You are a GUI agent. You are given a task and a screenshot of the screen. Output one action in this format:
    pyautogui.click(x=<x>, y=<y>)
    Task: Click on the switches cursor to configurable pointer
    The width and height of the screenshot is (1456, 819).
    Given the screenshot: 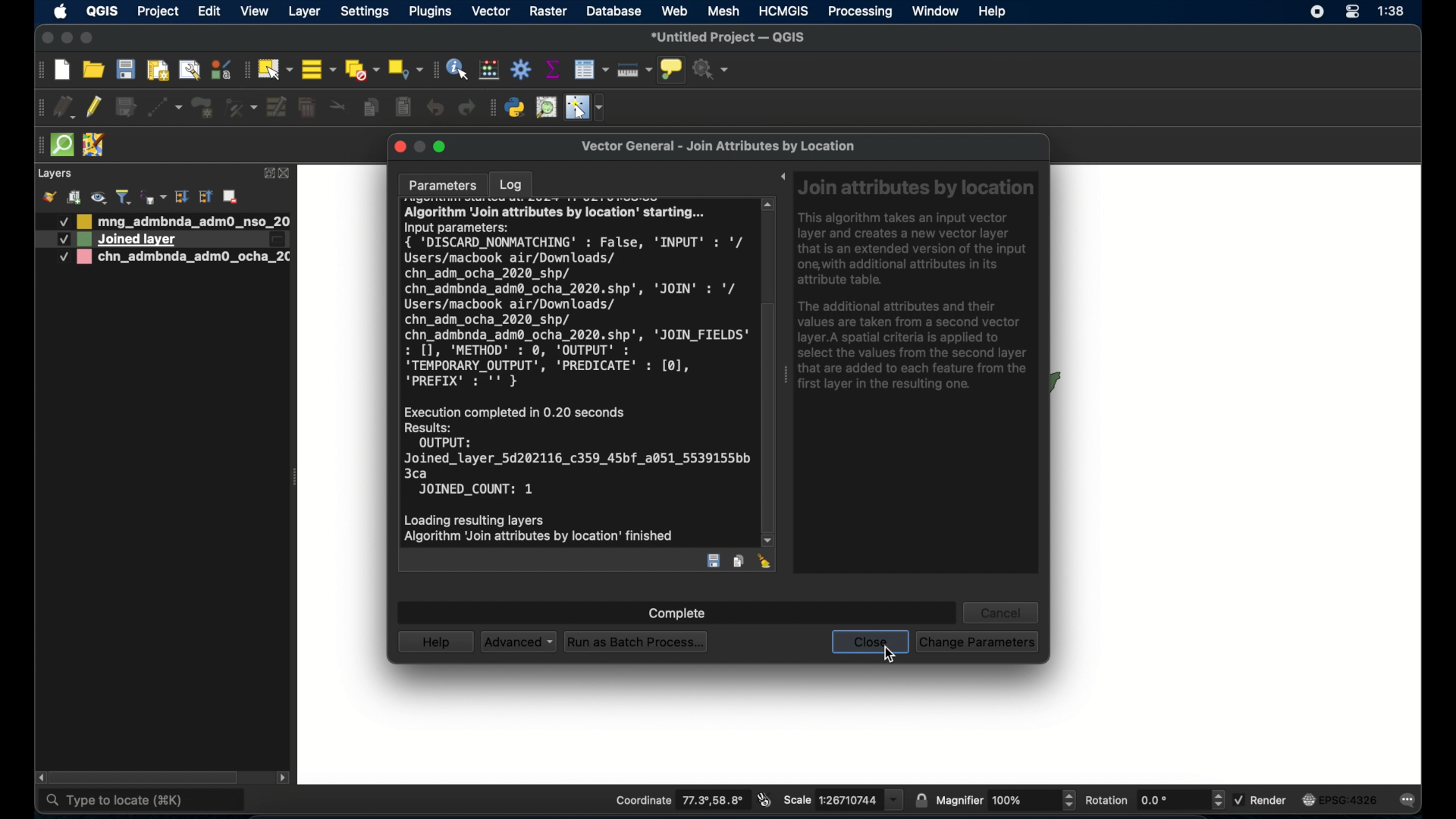 What is the action you would take?
    pyautogui.click(x=587, y=108)
    